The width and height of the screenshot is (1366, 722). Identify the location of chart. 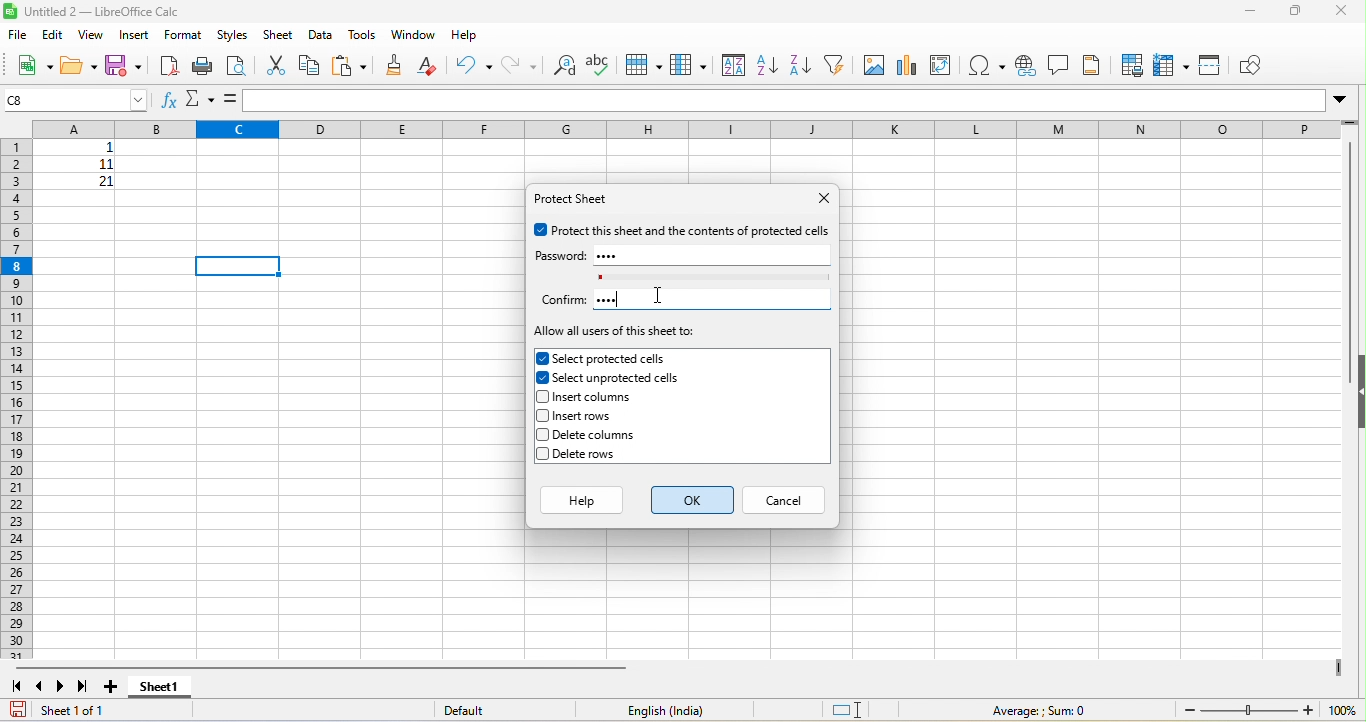
(907, 65).